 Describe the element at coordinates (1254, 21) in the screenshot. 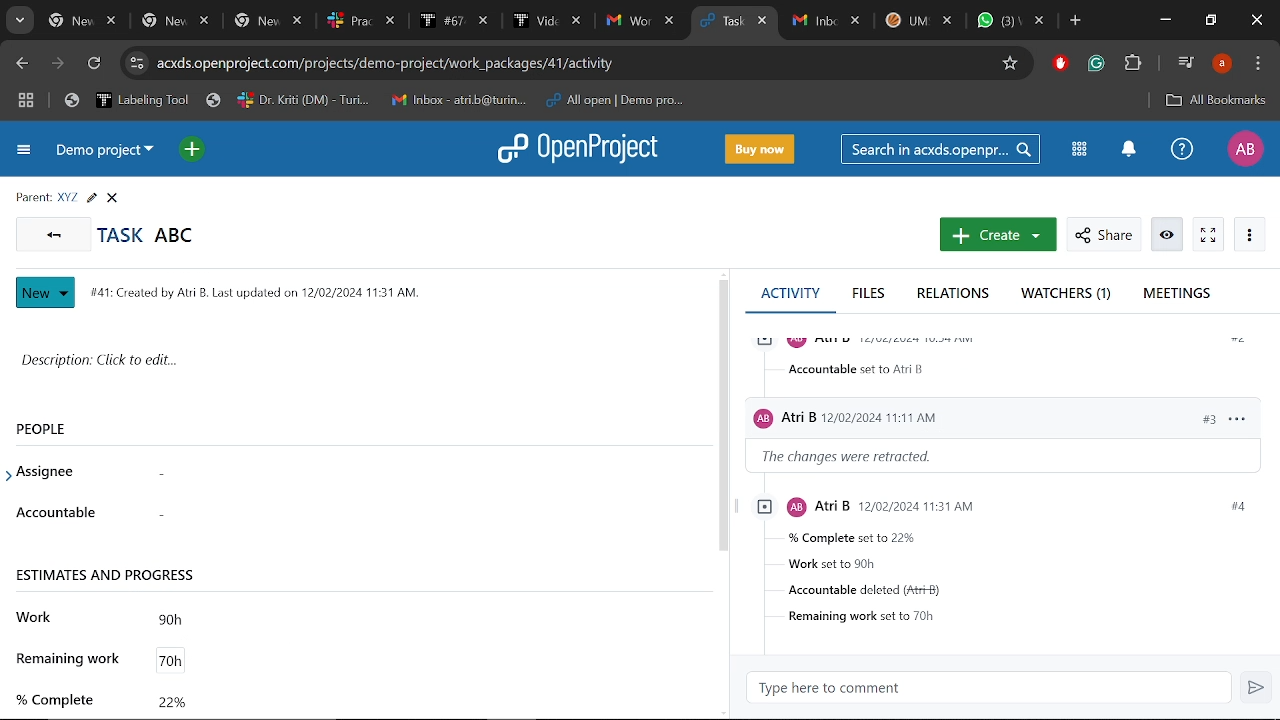

I see `Close` at that location.